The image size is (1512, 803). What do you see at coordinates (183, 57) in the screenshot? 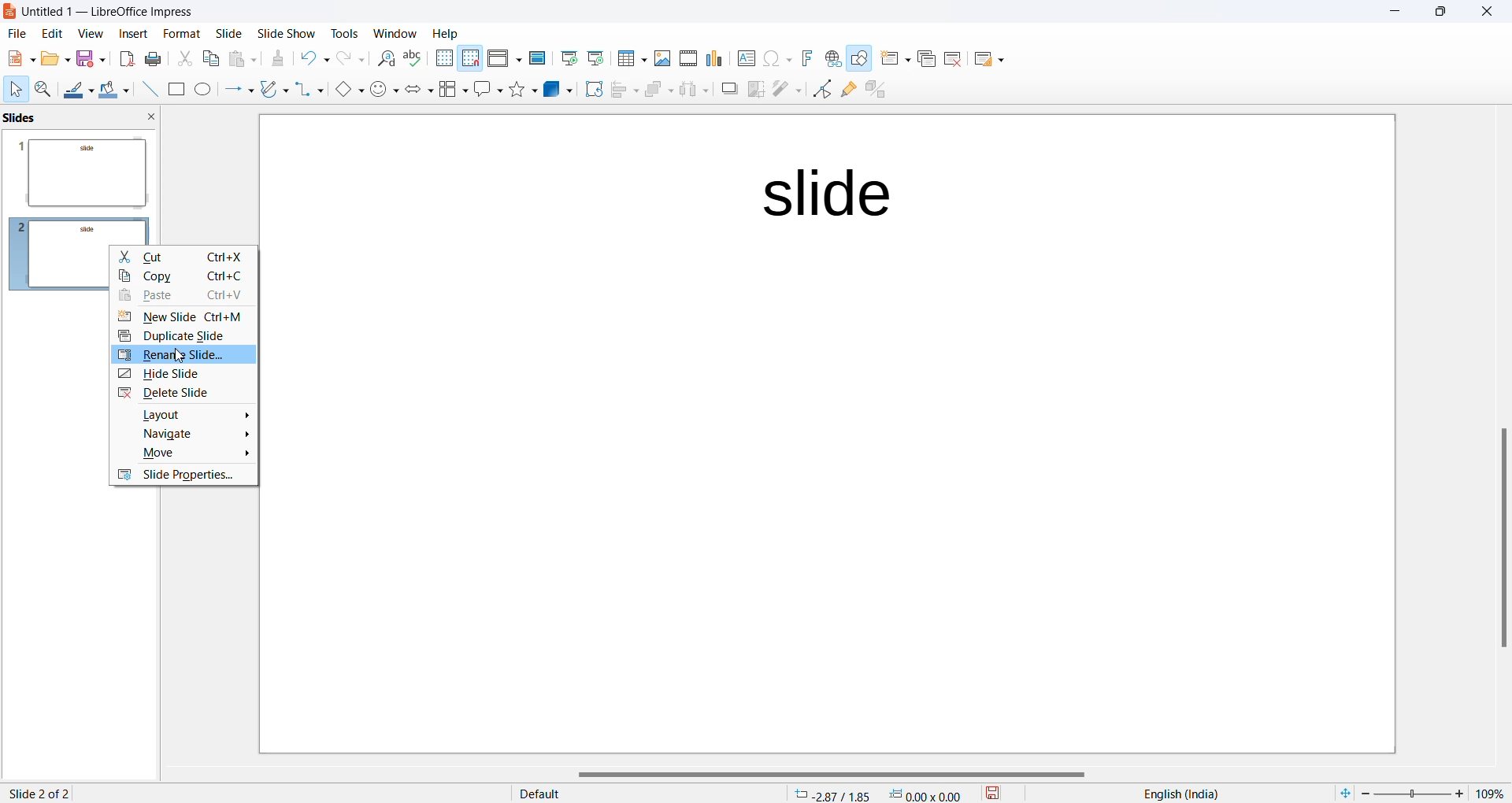
I see `Cut` at bounding box center [183, 57].